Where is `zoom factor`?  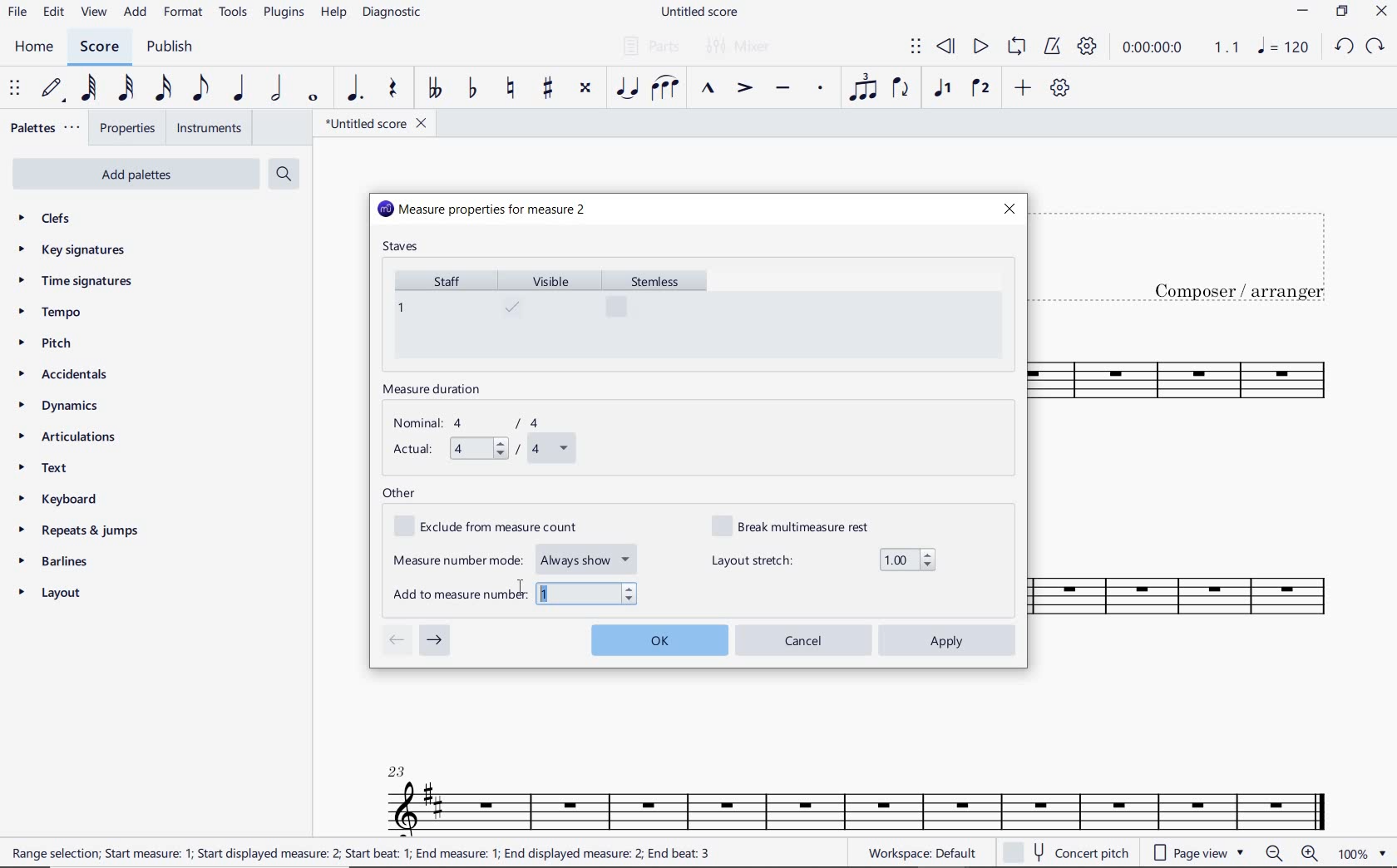
zoom factor is located at coordinates (1362, 854).